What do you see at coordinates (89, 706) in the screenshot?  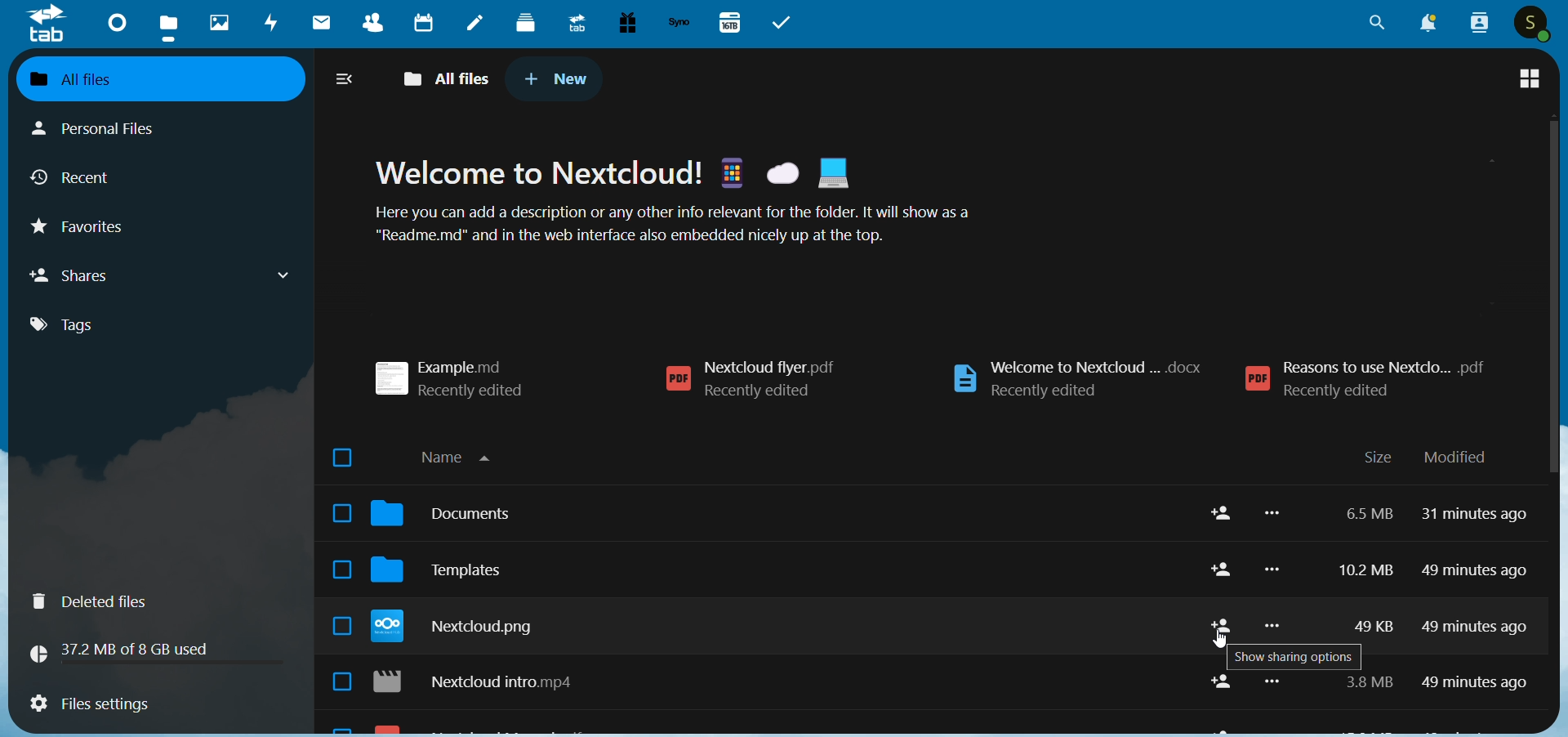 I see `files setting` at bounding box center [89, 706].